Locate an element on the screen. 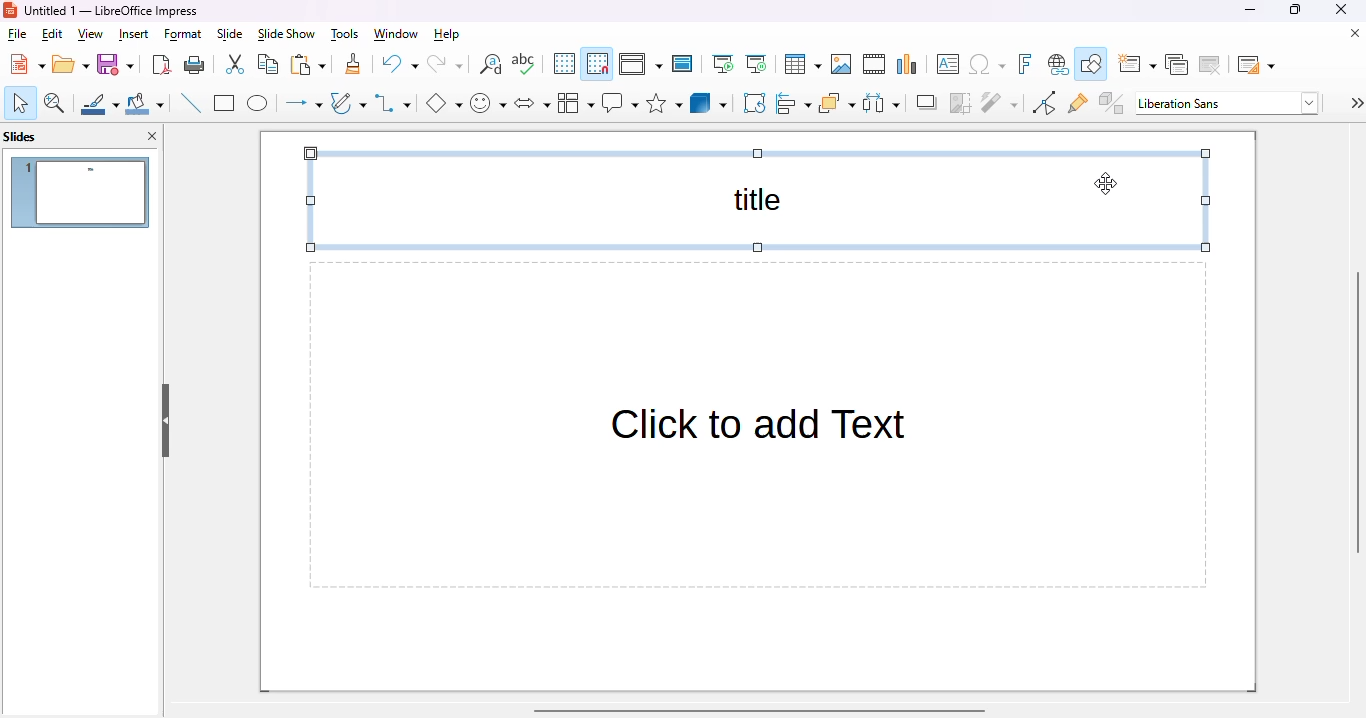  insert hyperlink is located at coordinates (1058, 64).